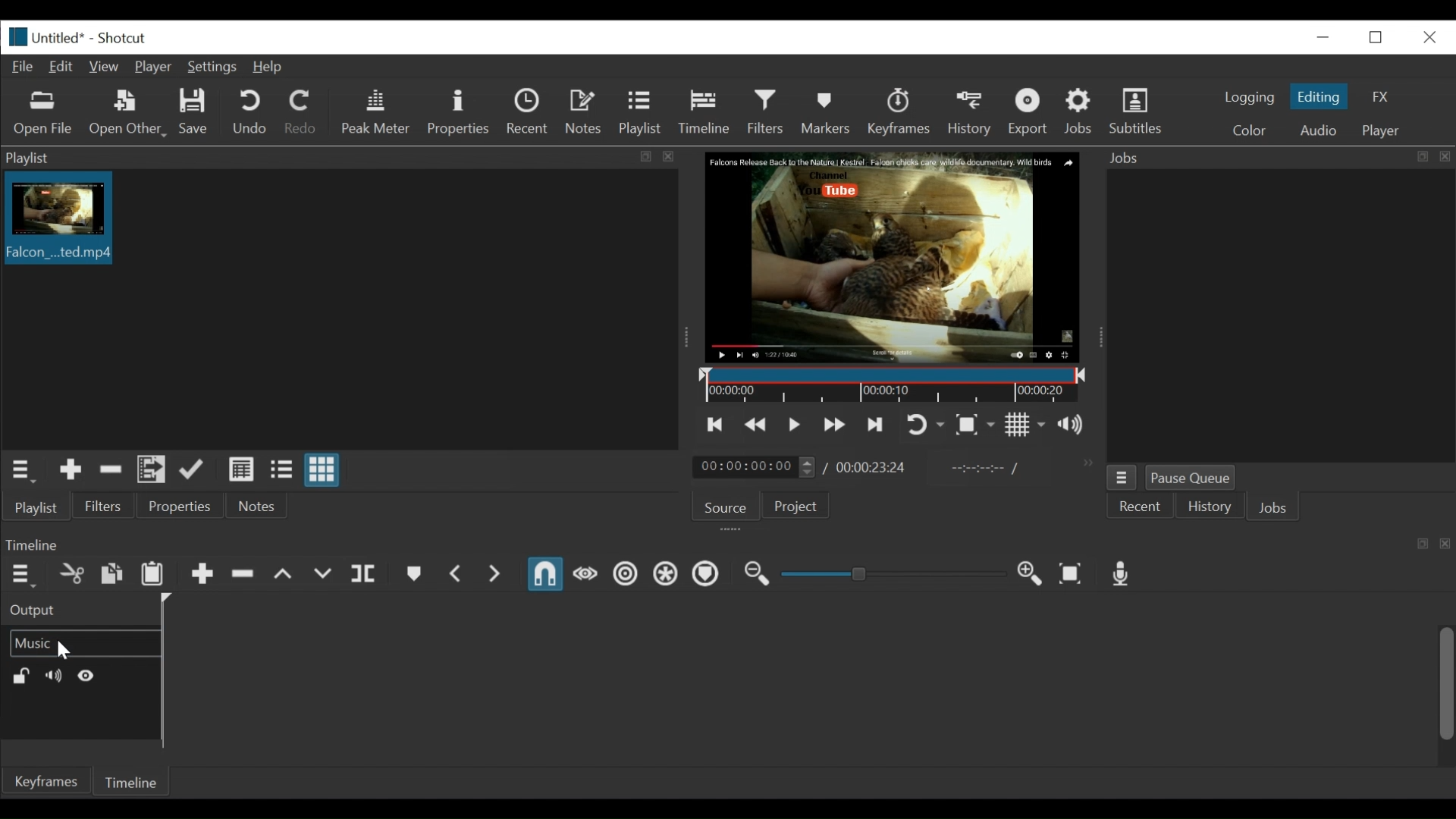 The image size is (1456, 819). I want to click on View as icons, so click(322, 472).